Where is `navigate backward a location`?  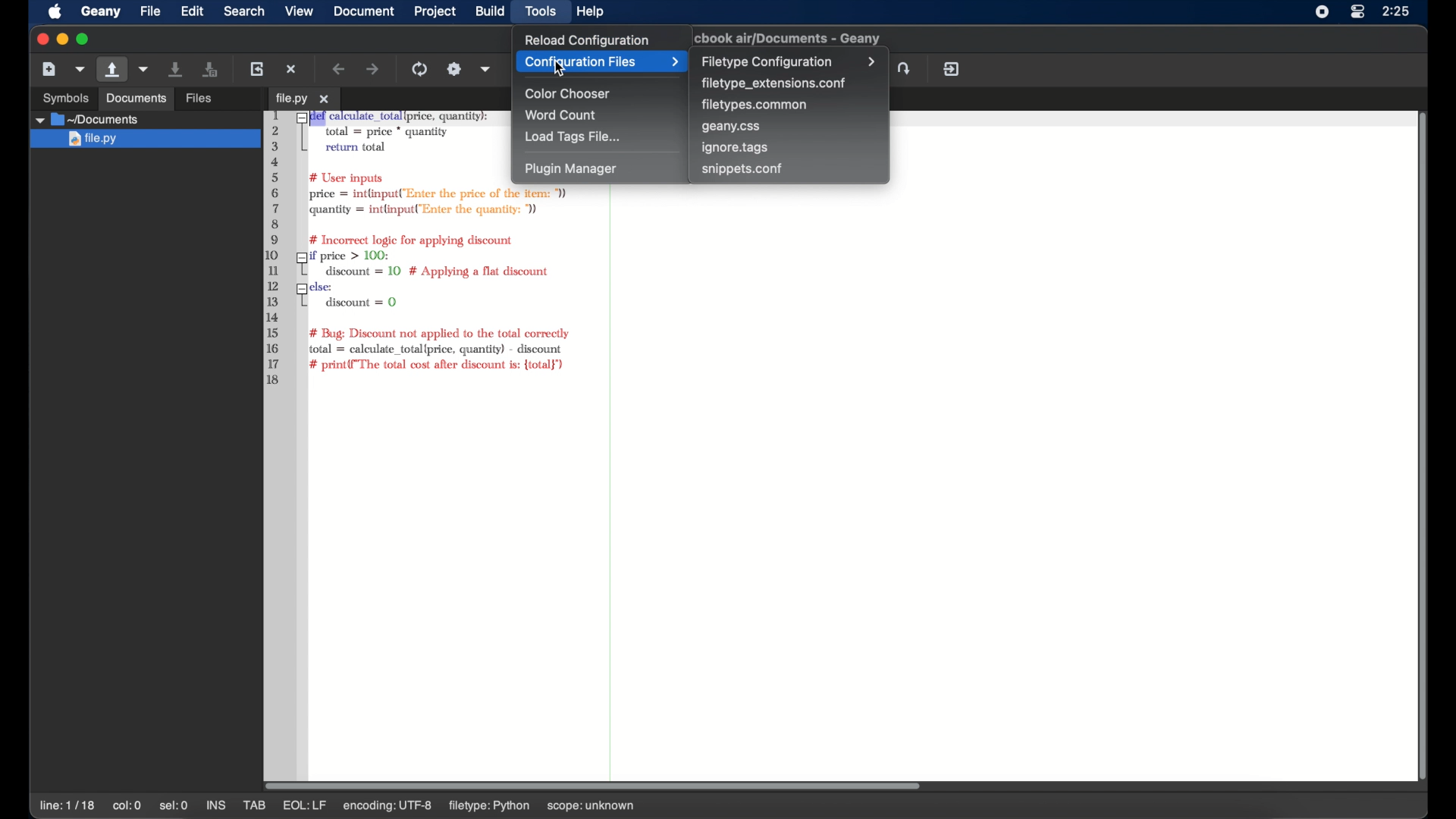 navigate backward a location is located at coordinates (340, 69).